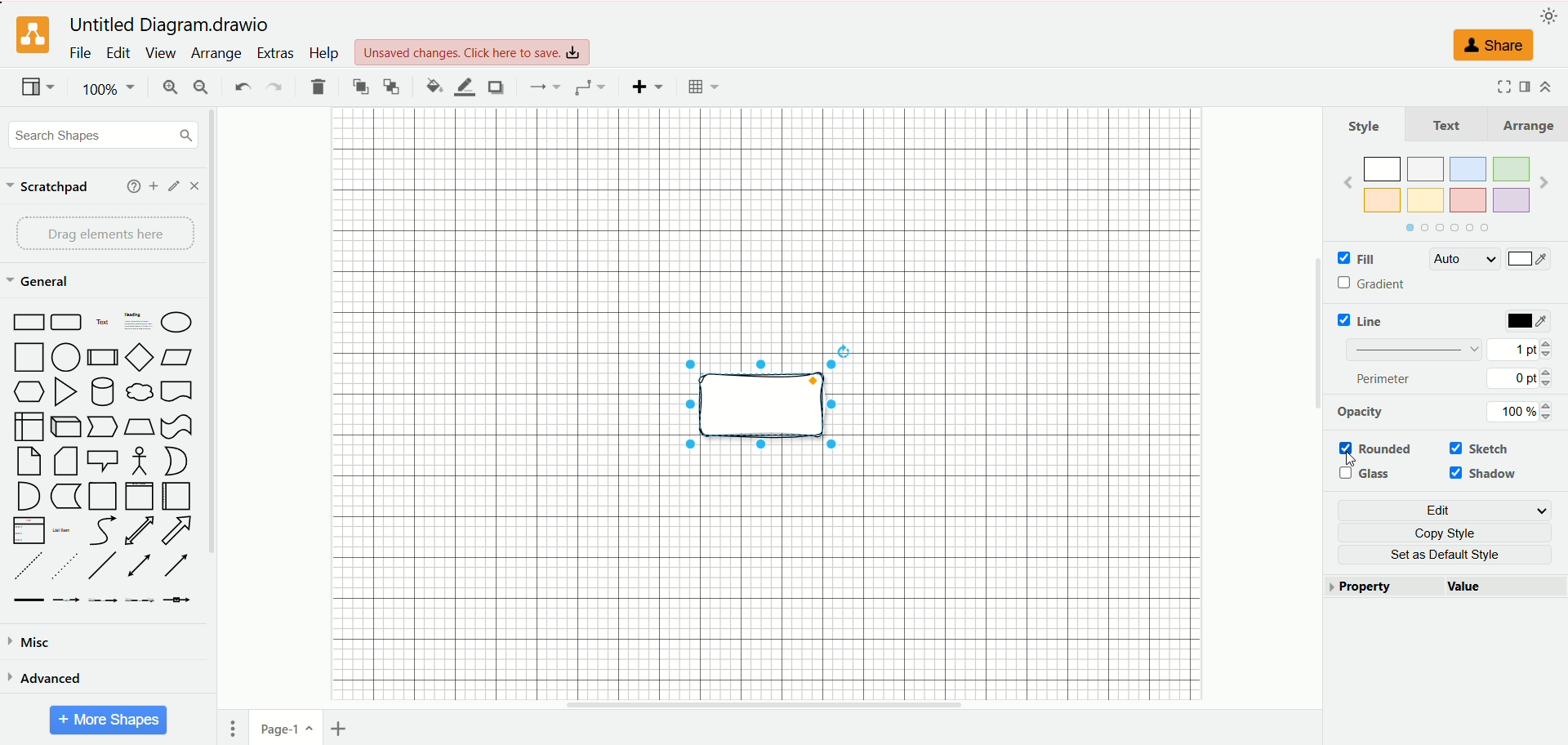 This screenshot has height=745, width=1568. I want to click on horizontal scroll bar, so click(765, 705).